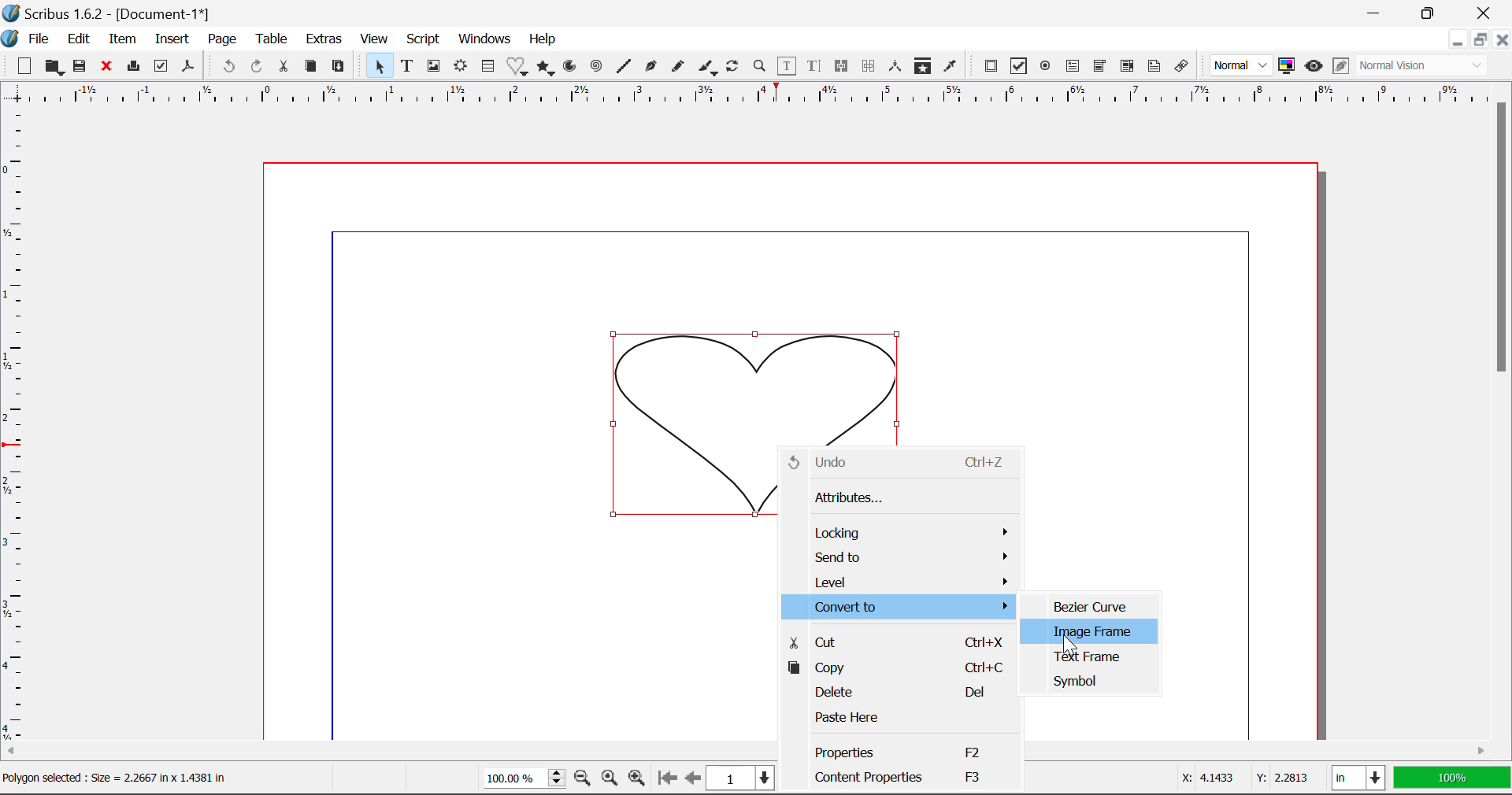  I want to click on Zoom to 100%, so click(608, 780).